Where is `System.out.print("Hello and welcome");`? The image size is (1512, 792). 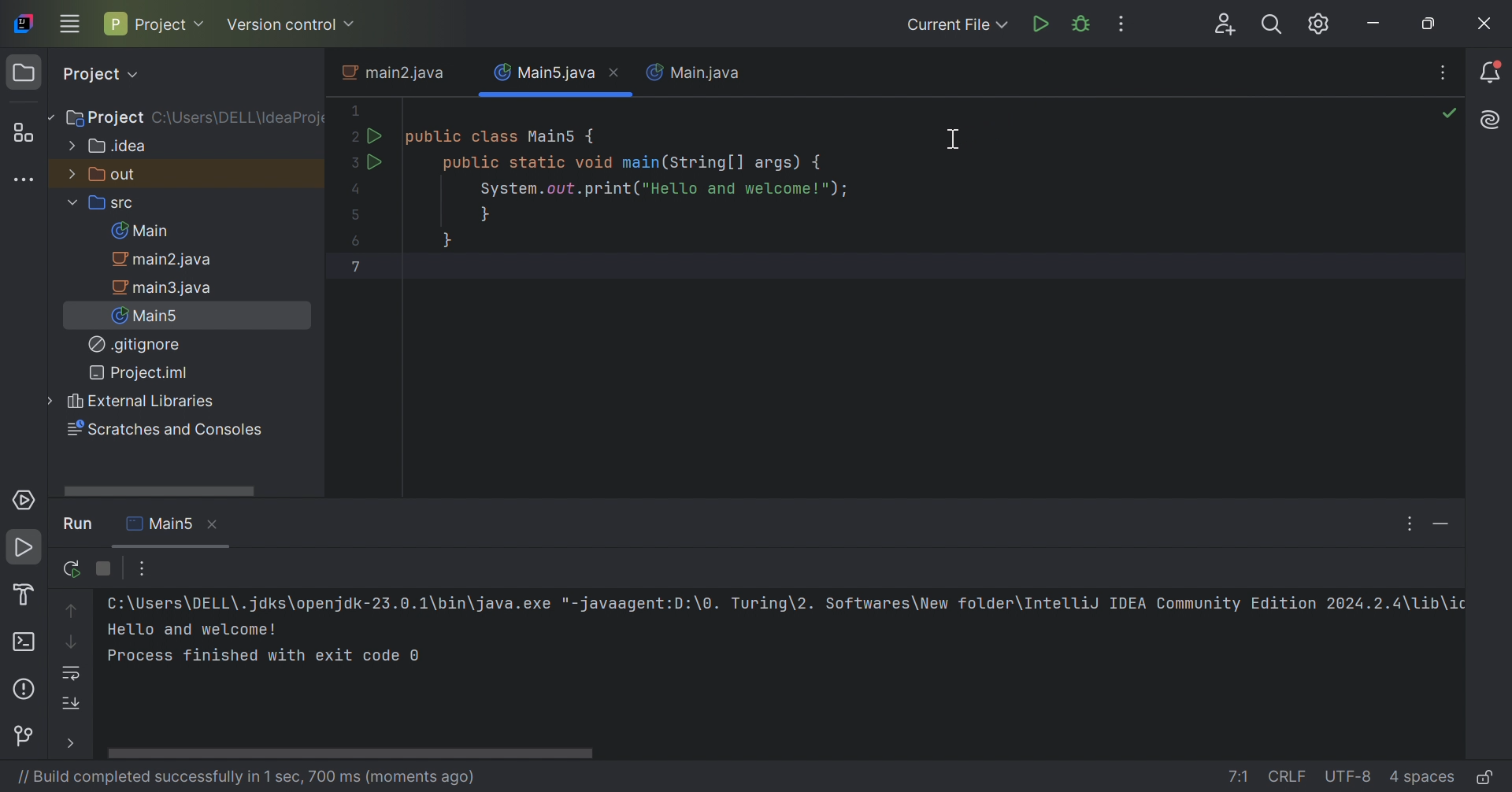 System.out.print("Hello and welcome"); is located at coordinates (667, 190).